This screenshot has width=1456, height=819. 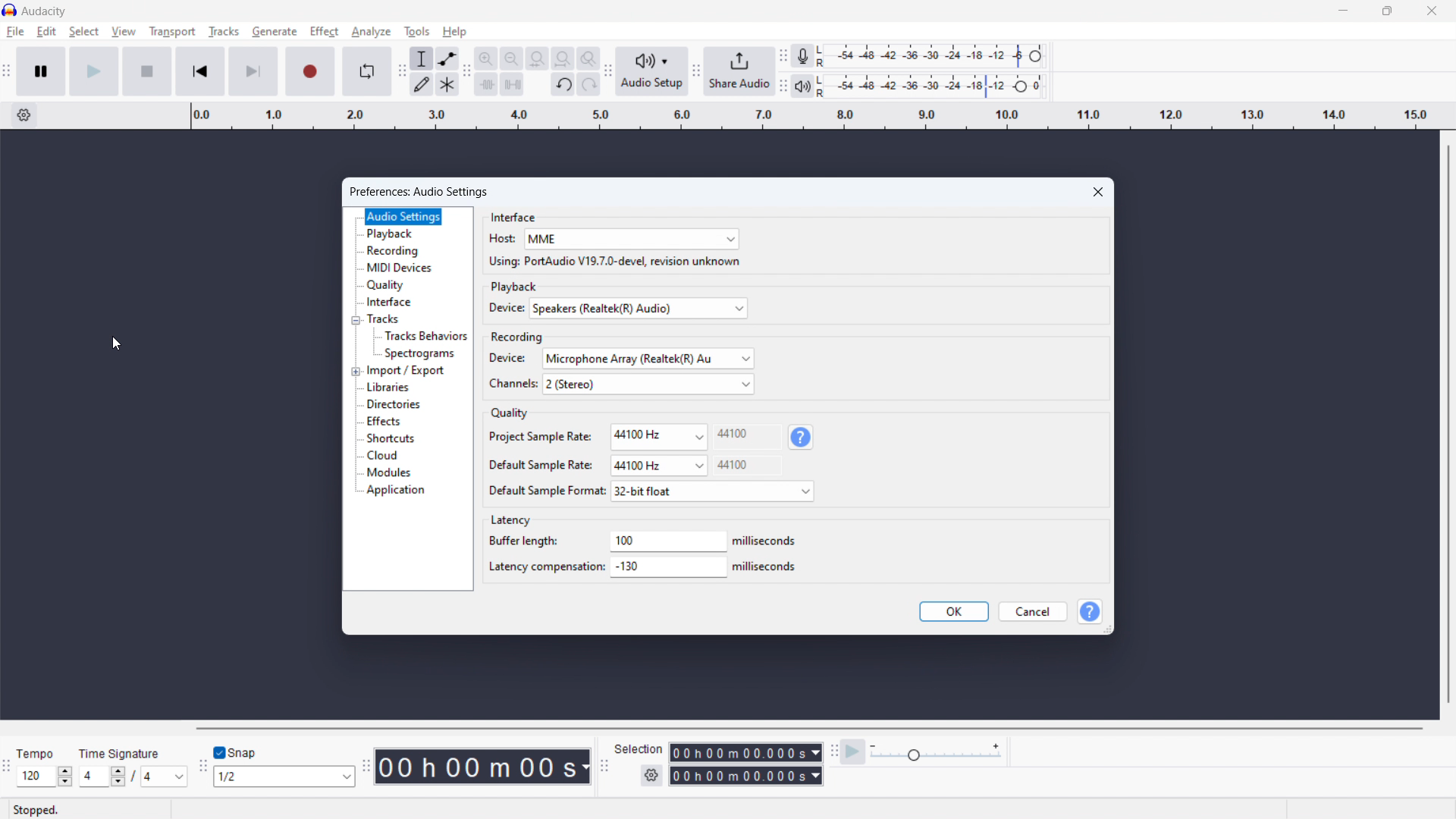 What do you see at coordinates (1341, 12) in the screenshot?
I see `minimize` at bounding box center [1341, 12].